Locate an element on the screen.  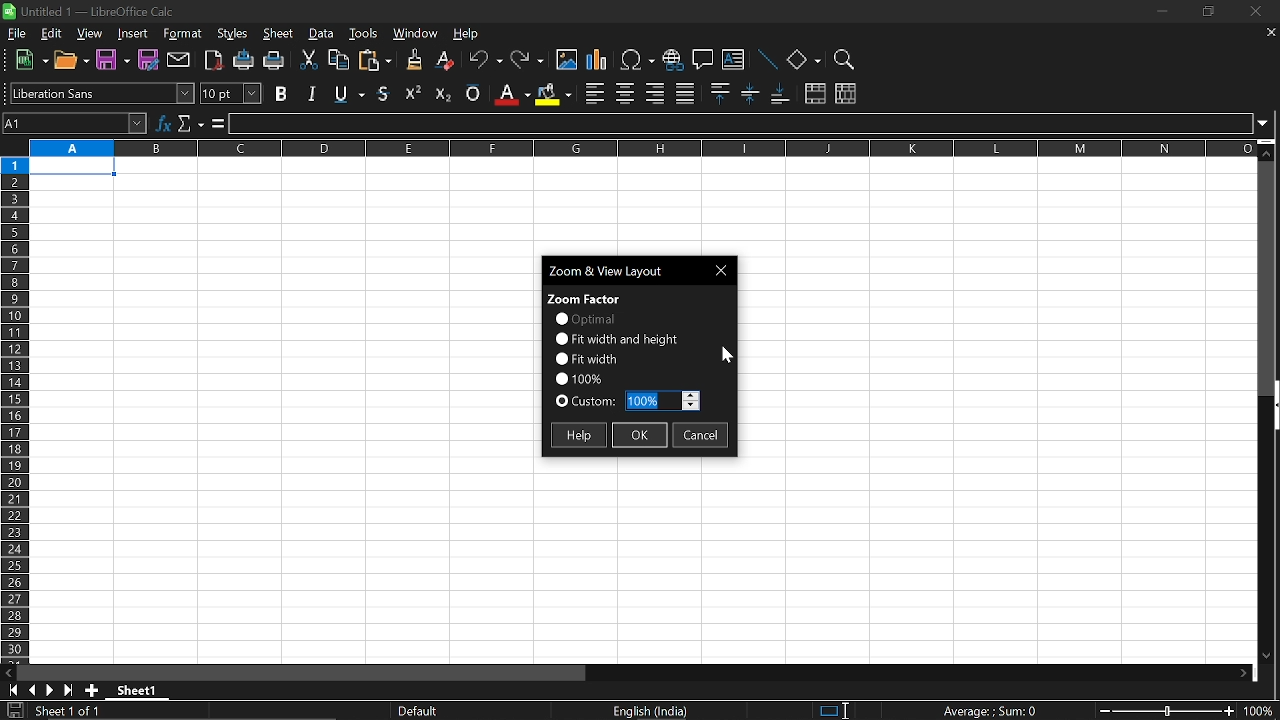
center vertically is located at coordinates (750, 93).